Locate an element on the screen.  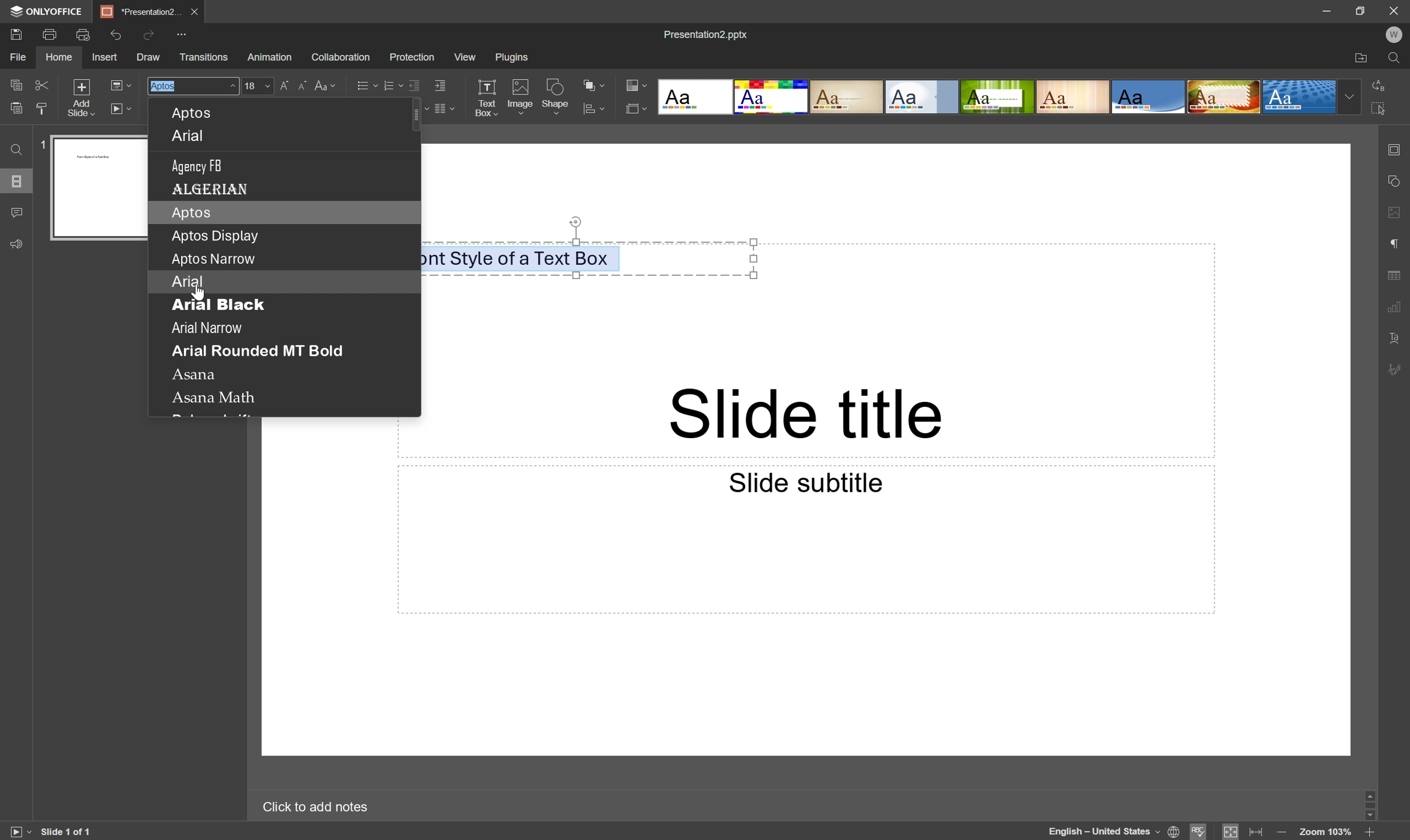
Decrease indent is located at coordinates (413, 82).